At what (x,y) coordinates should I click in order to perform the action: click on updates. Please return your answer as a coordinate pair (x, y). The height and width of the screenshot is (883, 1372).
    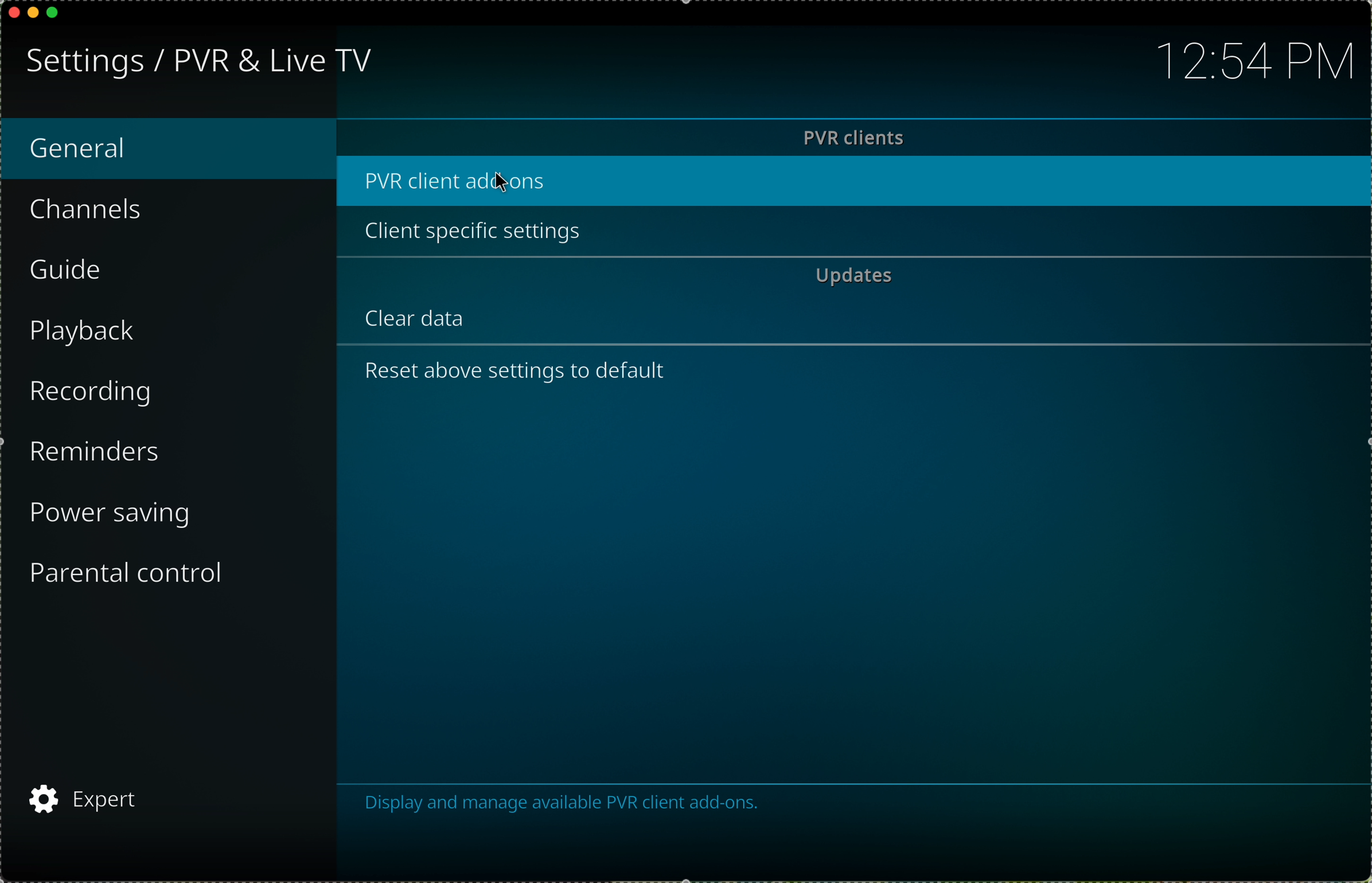
    Looking at the image, I should click on (856, 276).